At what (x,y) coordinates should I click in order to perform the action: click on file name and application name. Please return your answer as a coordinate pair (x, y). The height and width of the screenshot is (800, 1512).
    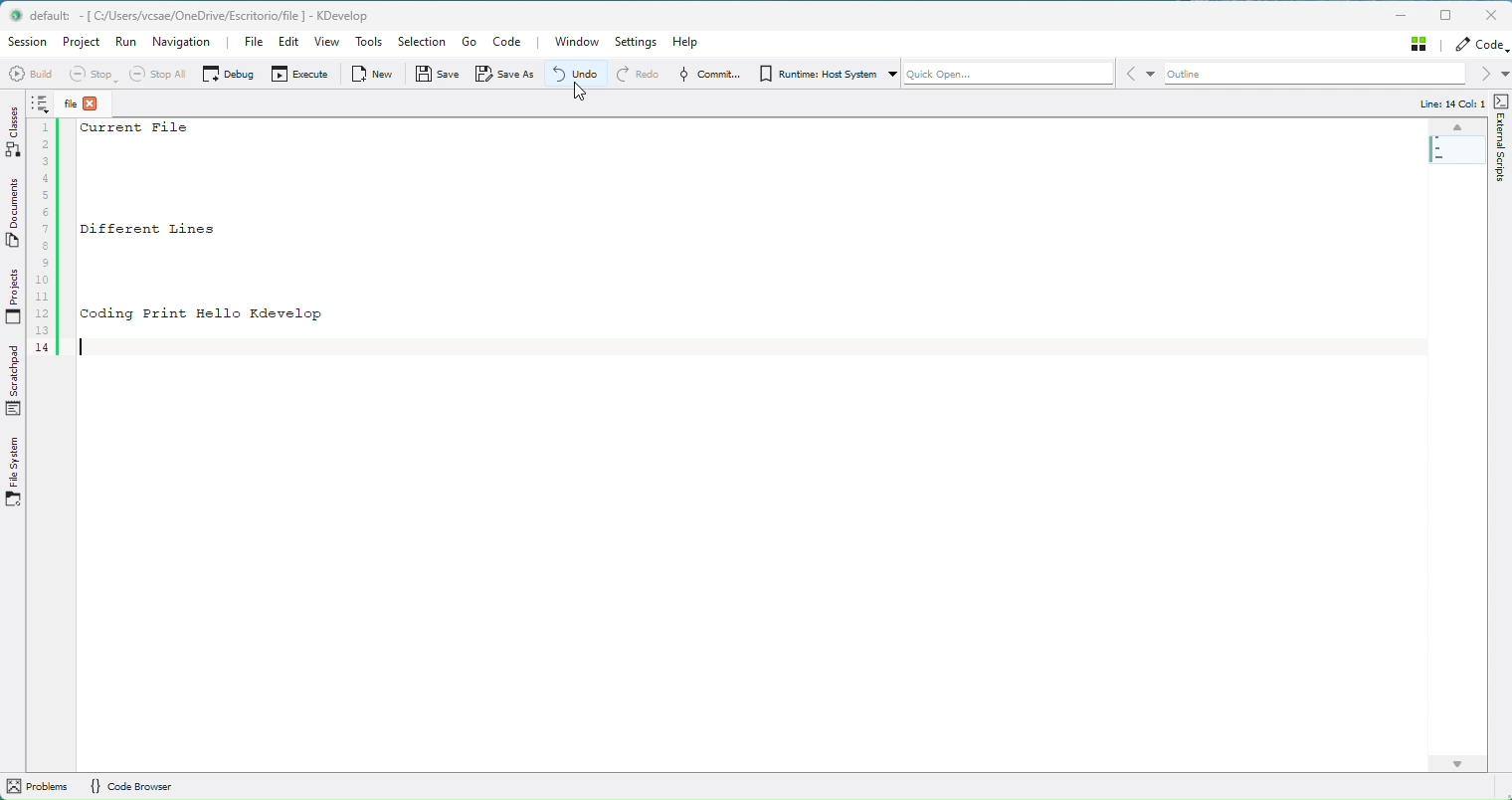
    Looking at the image, I should click on (190, 14).